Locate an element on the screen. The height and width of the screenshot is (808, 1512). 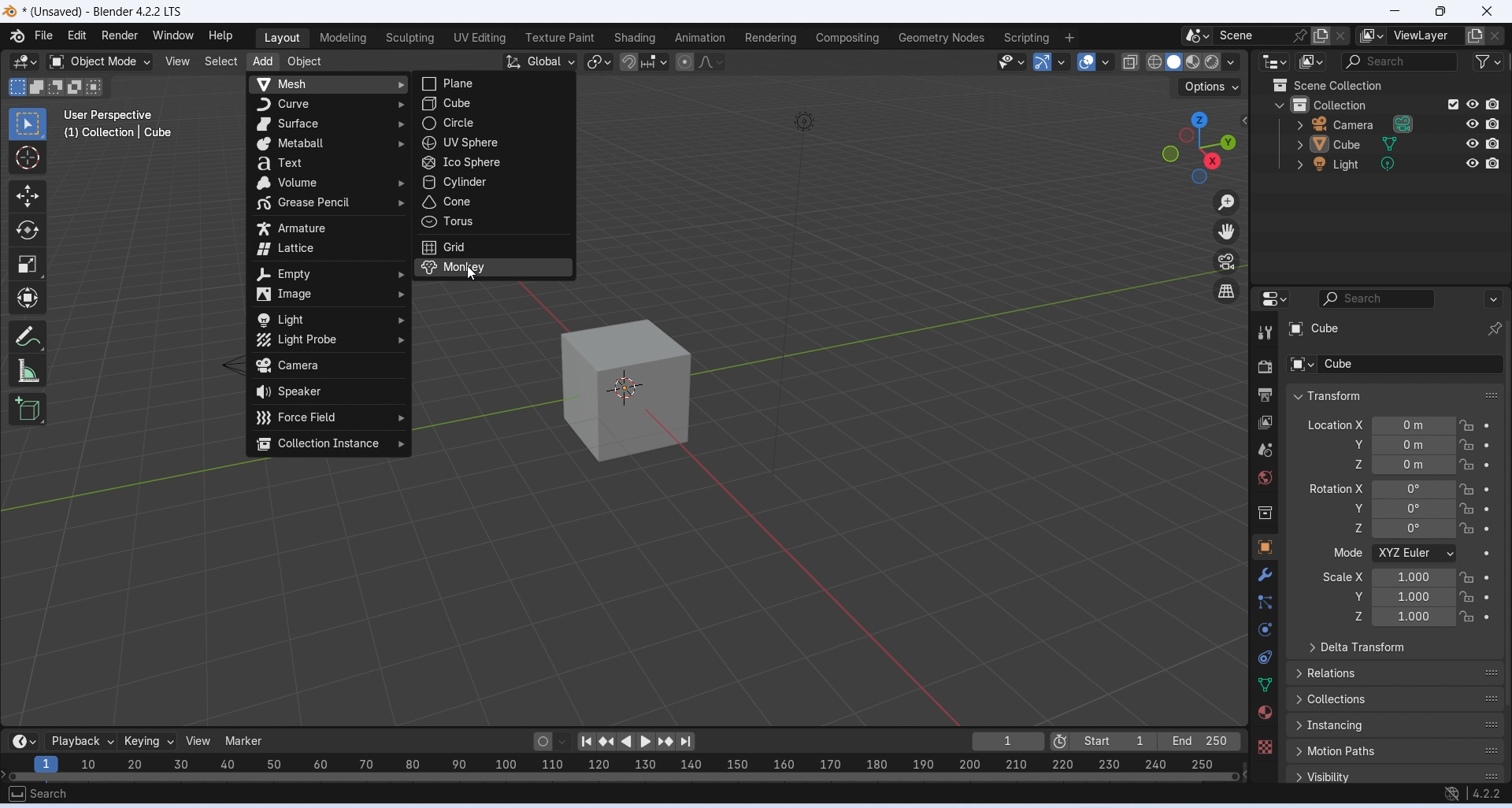
instancing is located at coordinates (1396, 725).